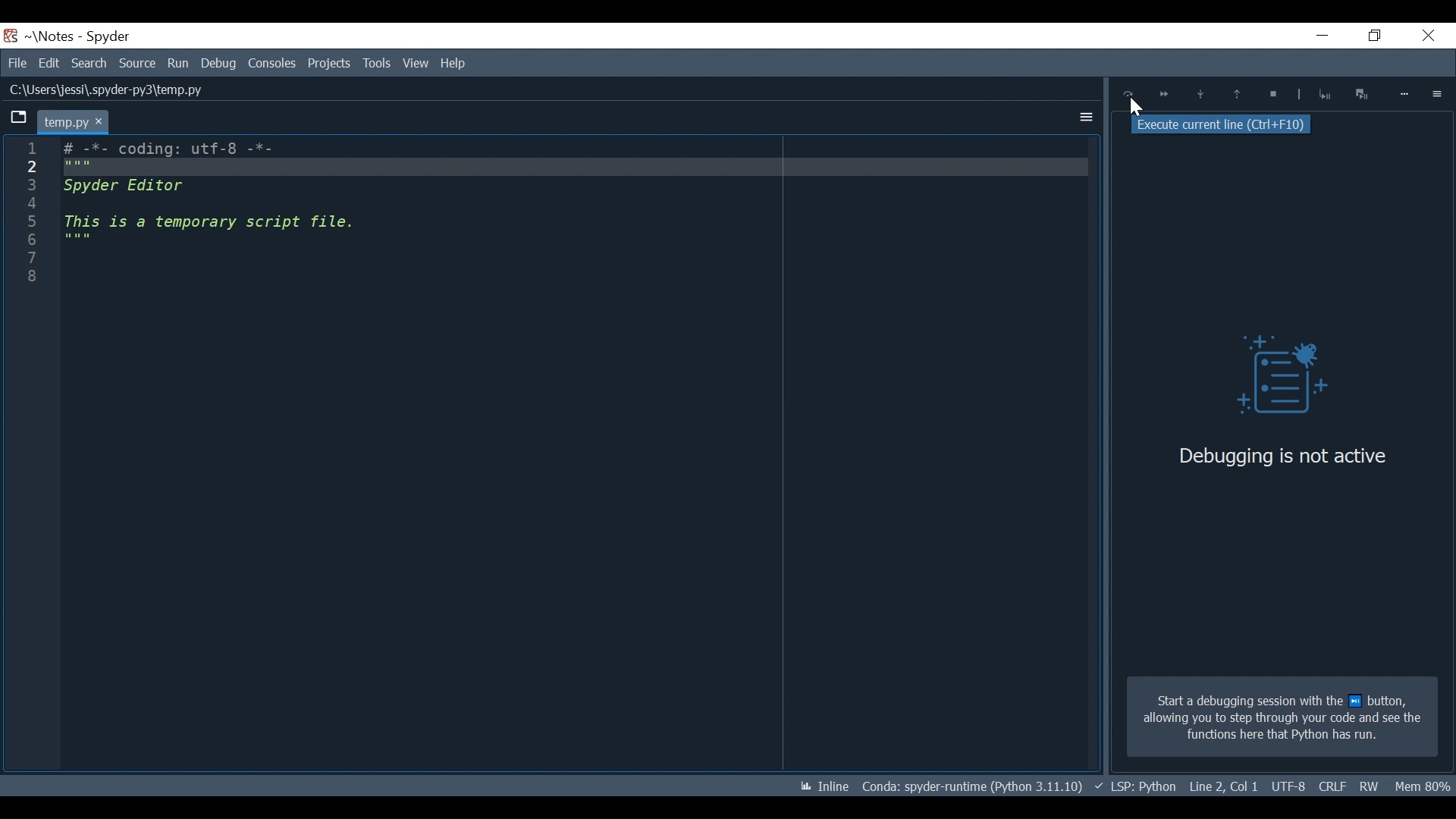 Image resolution: width=1456 pixels, height=819 pixels. Describe the element at coordinates (17, 63) in the screenshot. I see `File` at that location.